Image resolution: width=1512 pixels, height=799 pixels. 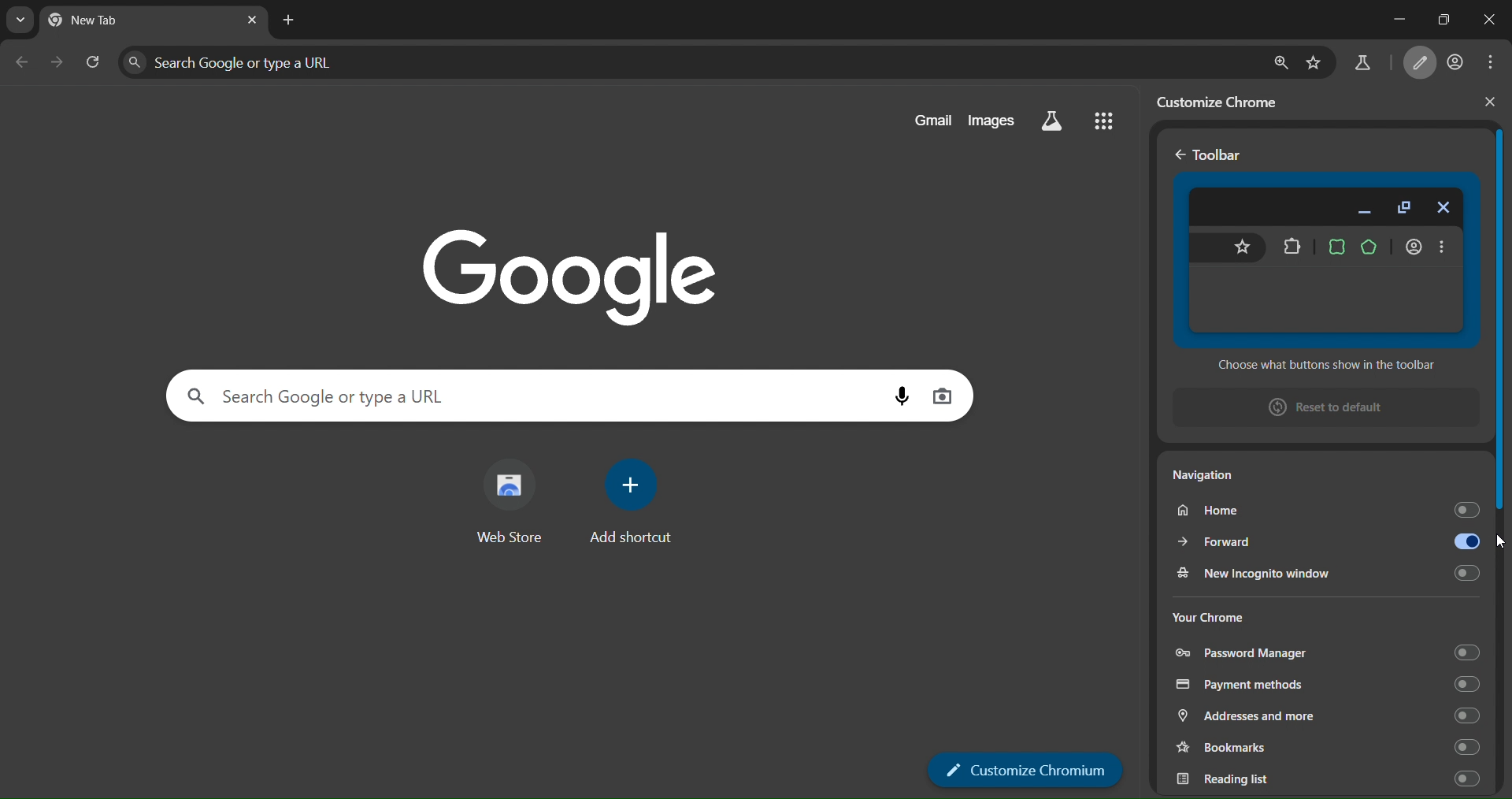 What do you see at coordinates (1457, 61) in the screenshot?
I see `account` at bounding box center [1457, 61].